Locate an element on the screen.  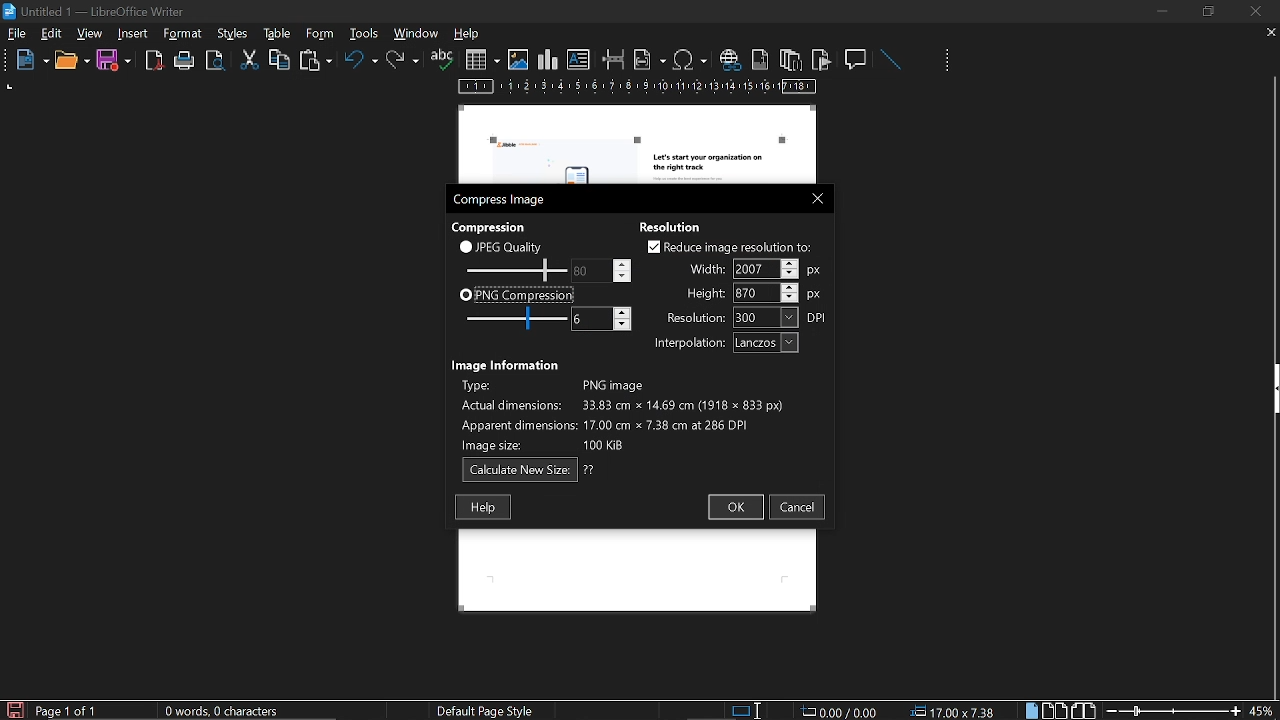
insert text is located at coordinates (579, 60).